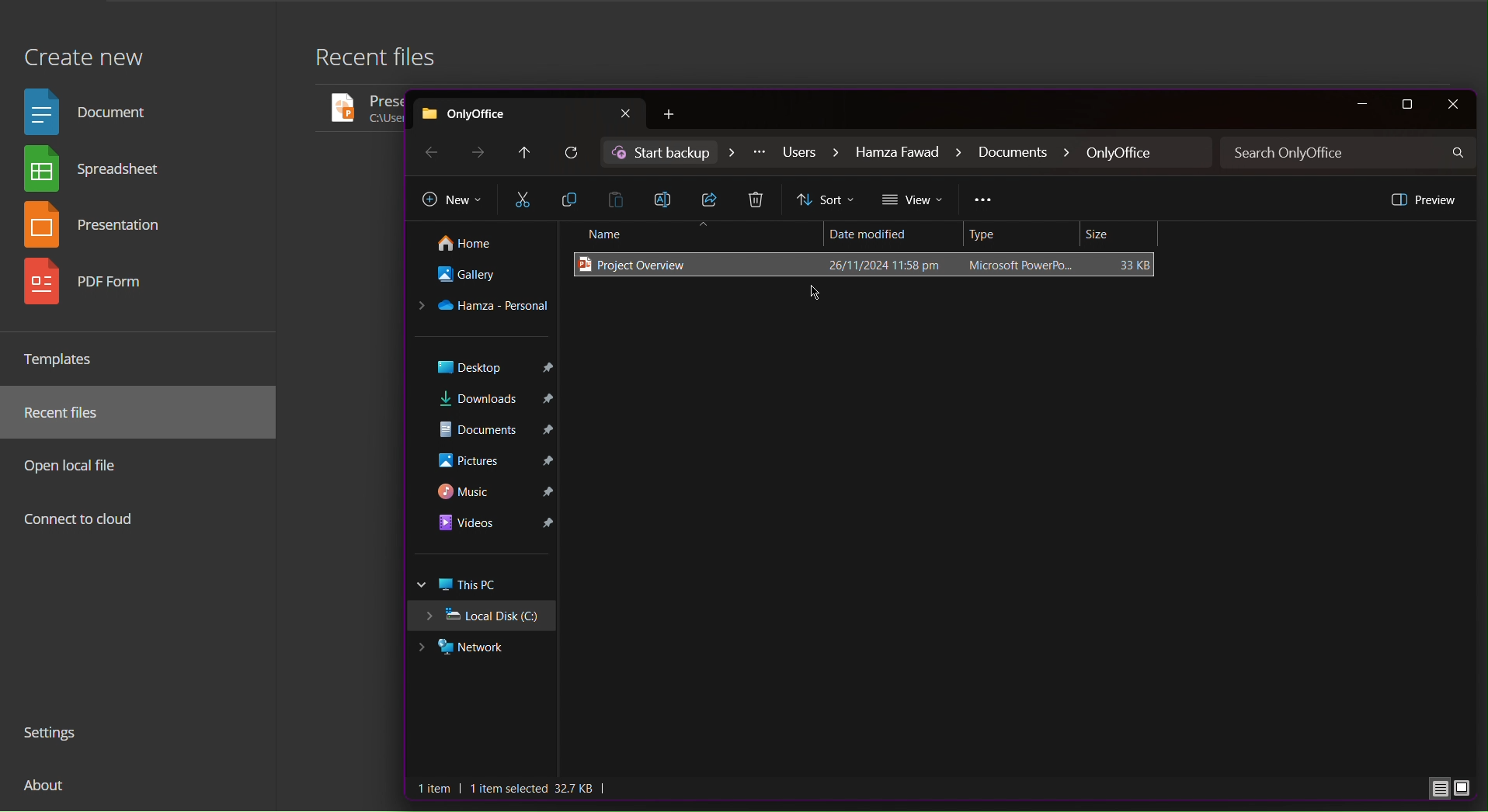 This screenshot has height=812, width=1488. Describe the element at coordinates (480, 152) in the screenshot. I see `Next` at that location.